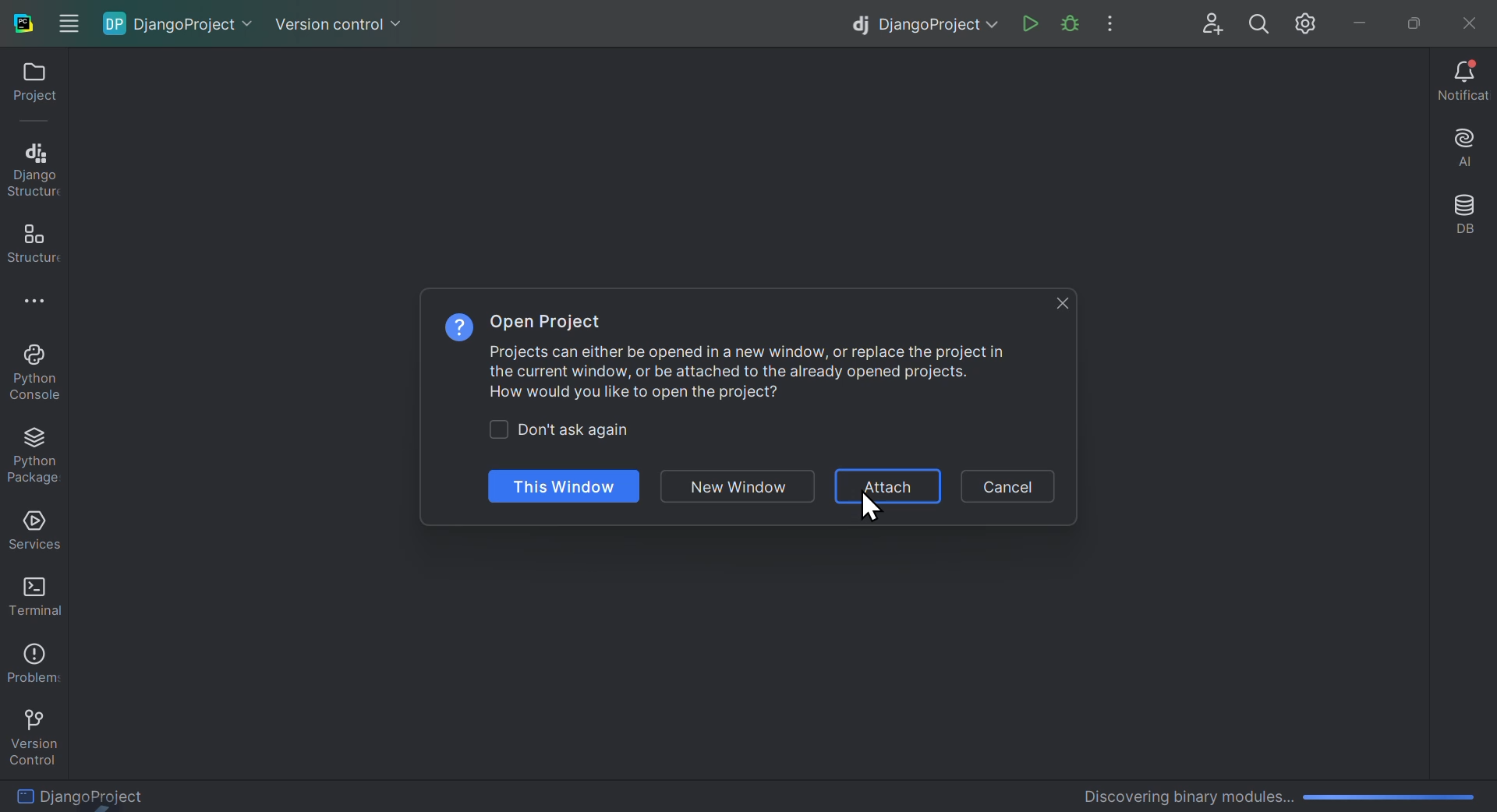  What do you see at coordinates (453, 327) in the screenshot?
I see `Question Logo` at bounding box center [453, 327].